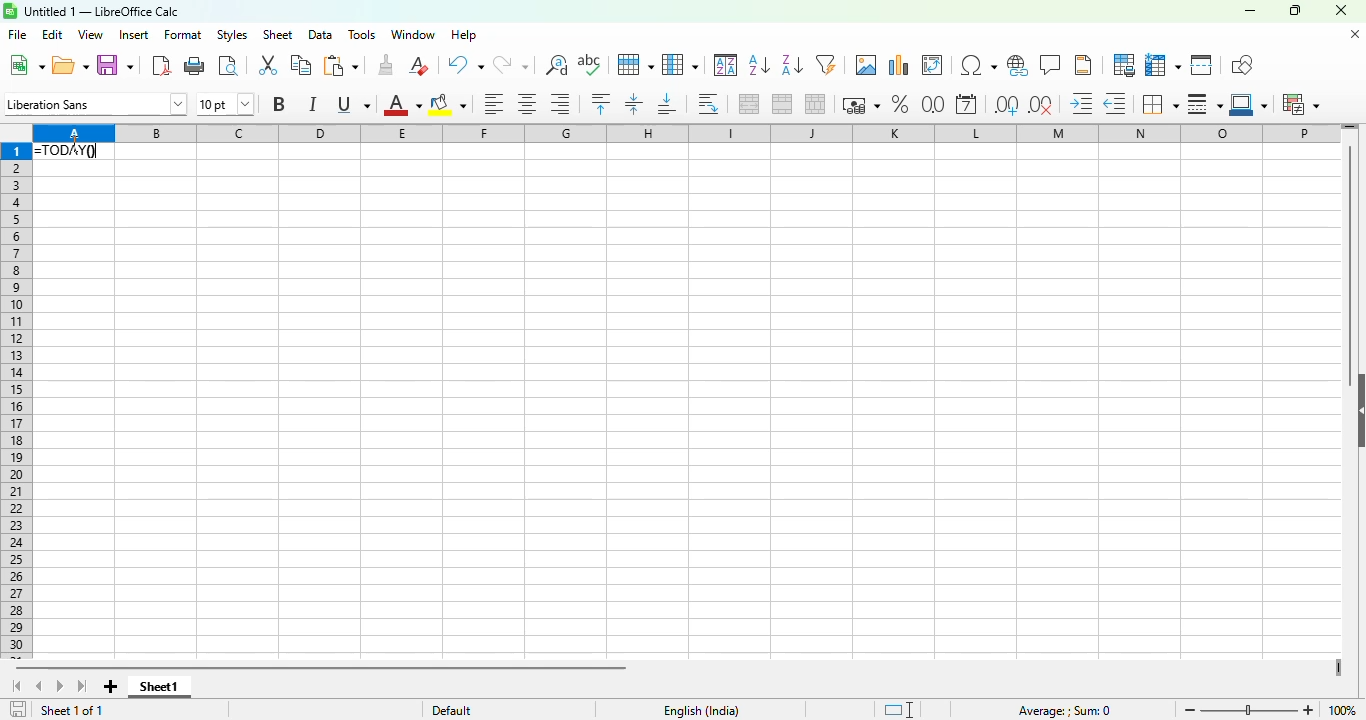 The image size is (1366, 720). I want to click on borders, so click(1159, 104).